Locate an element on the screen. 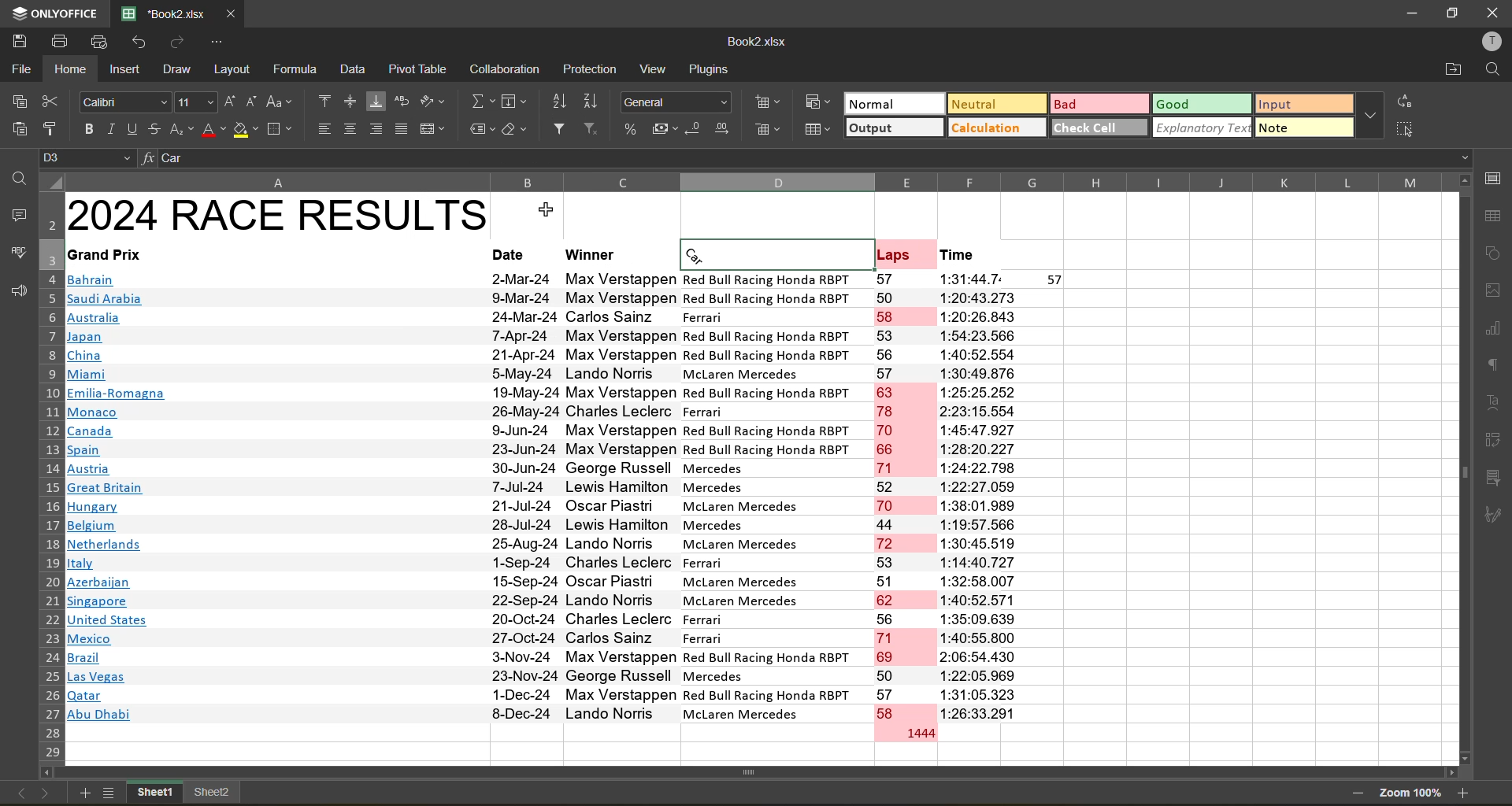  open location is located at coordinates (1454, 72).